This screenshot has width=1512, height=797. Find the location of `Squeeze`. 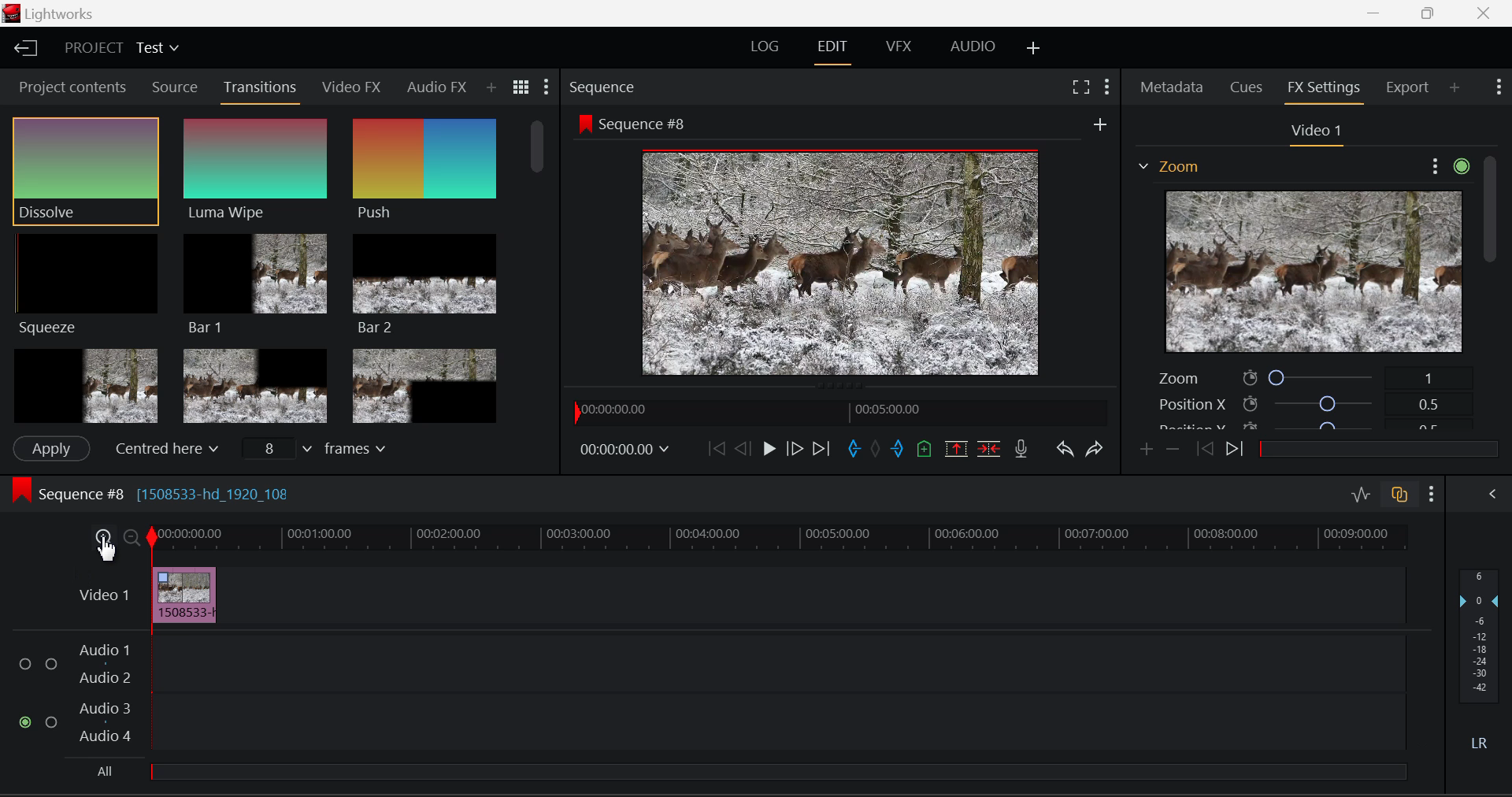

Squeeze is located at coordinates (85, 284).